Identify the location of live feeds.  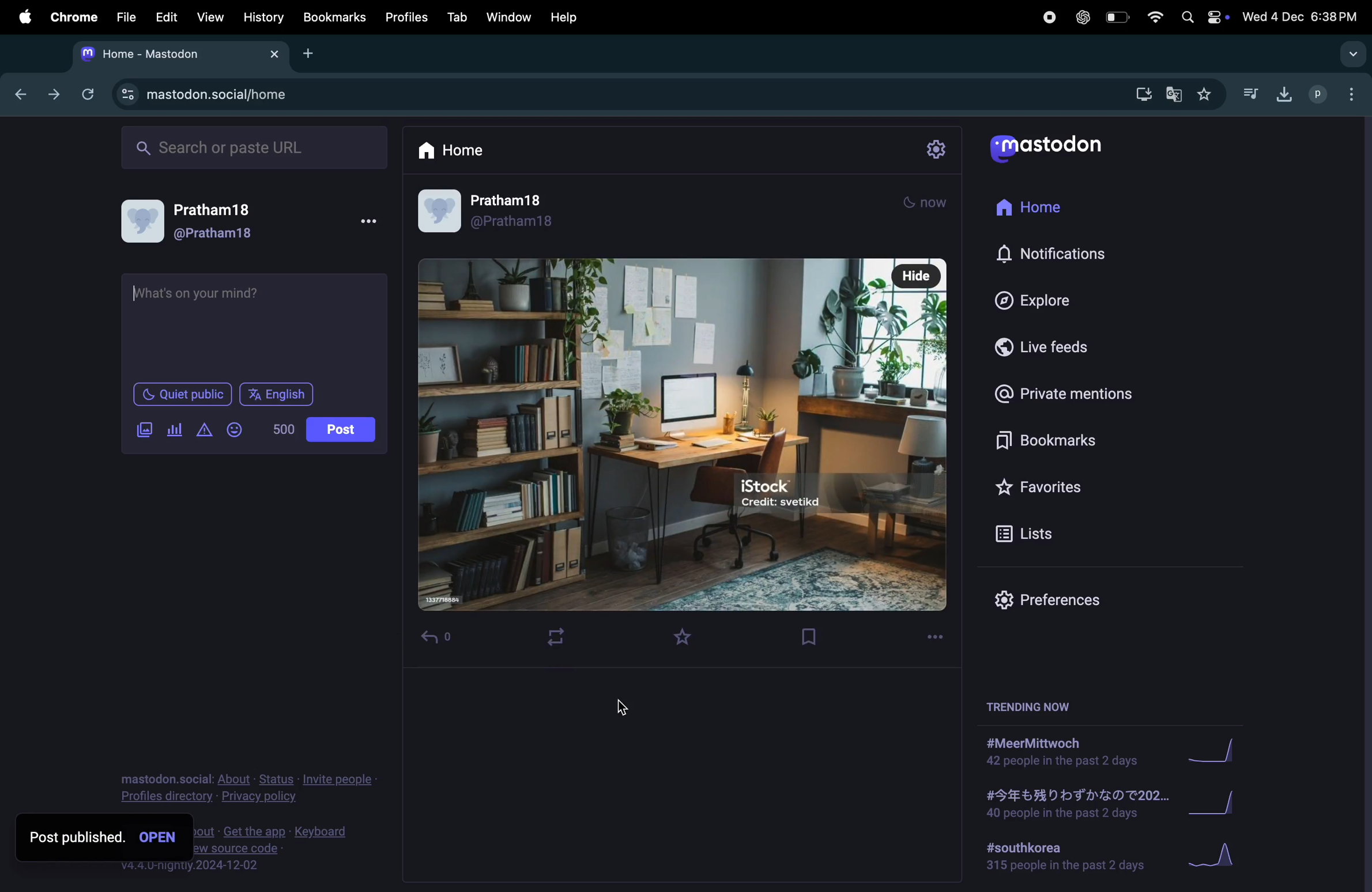
(1045, 349).